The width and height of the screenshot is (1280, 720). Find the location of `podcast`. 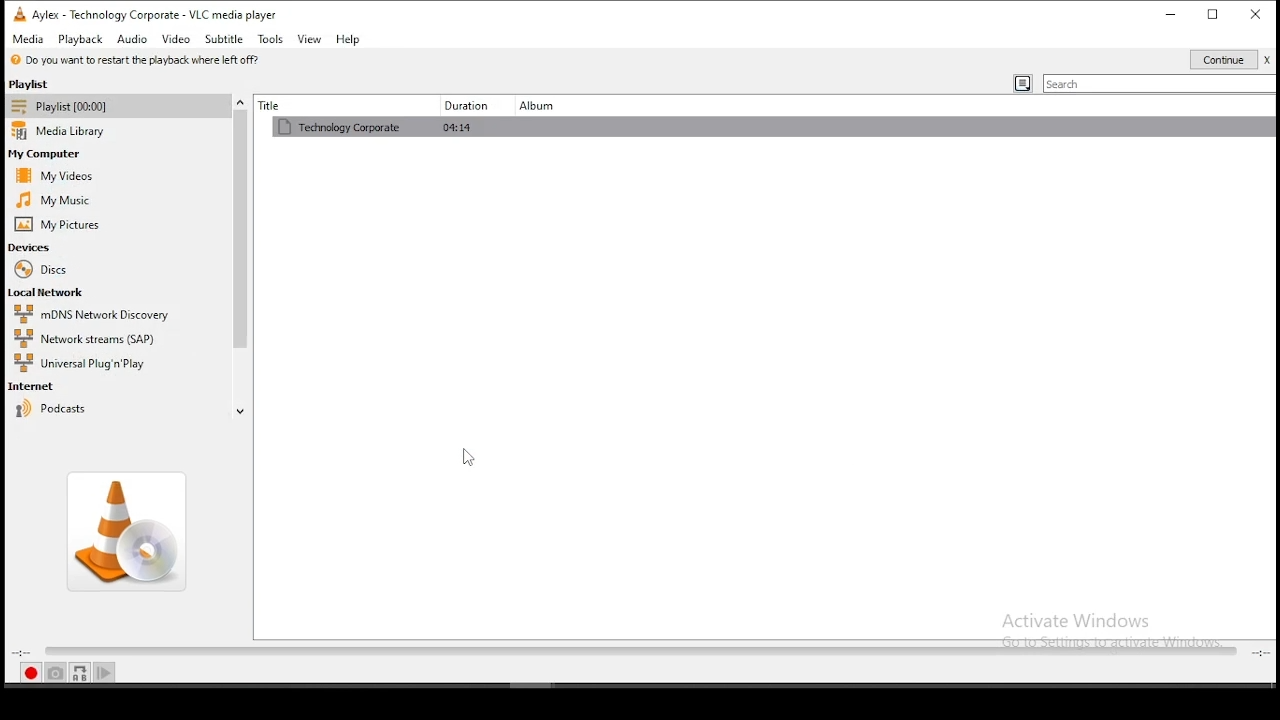

podcast is located at coordinates (52, 409).